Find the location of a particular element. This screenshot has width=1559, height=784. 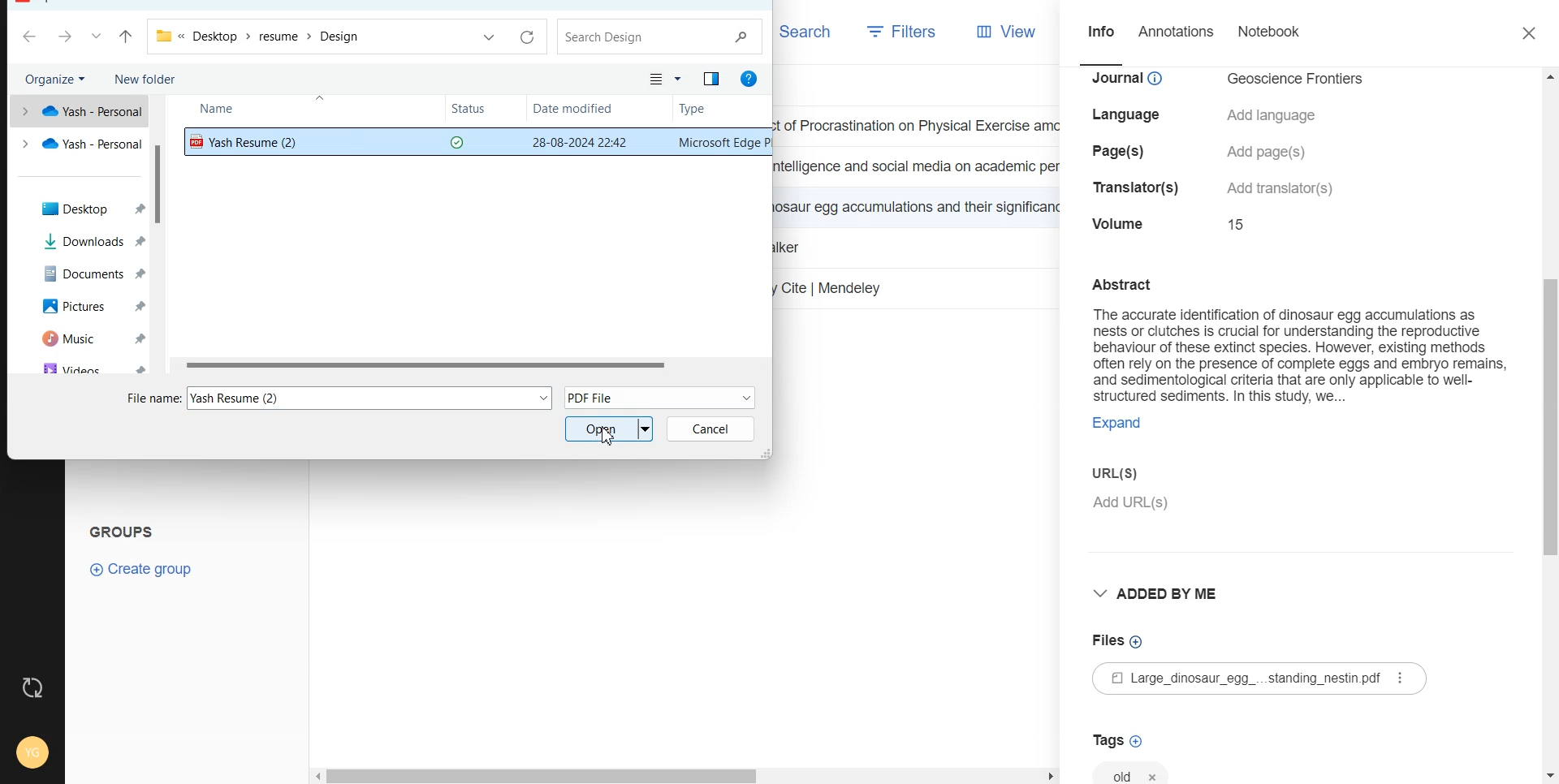

Text is located at coordinates (1290, 338).